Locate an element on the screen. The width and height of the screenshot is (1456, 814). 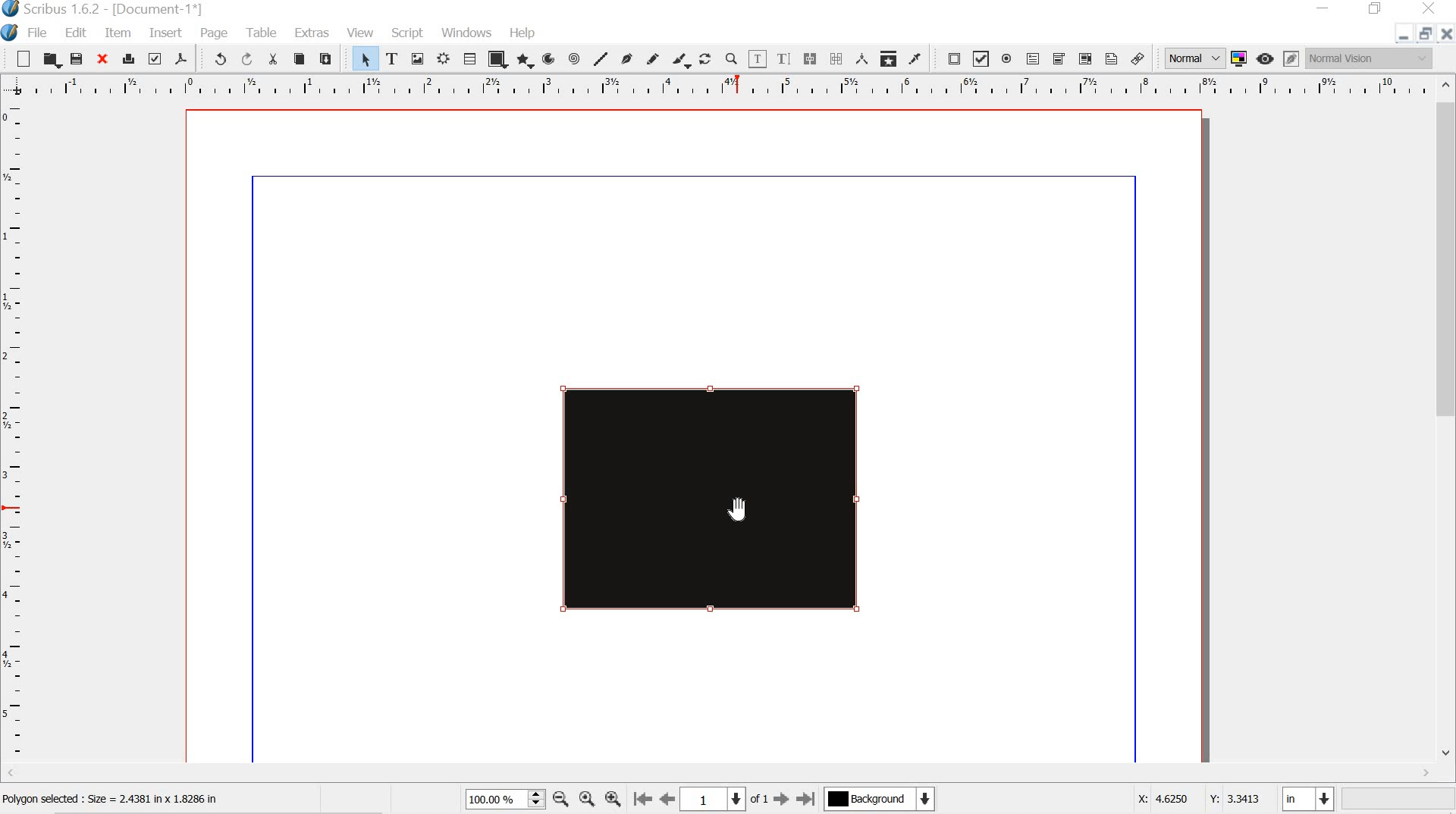
copy is located at coordinates (299, 58).